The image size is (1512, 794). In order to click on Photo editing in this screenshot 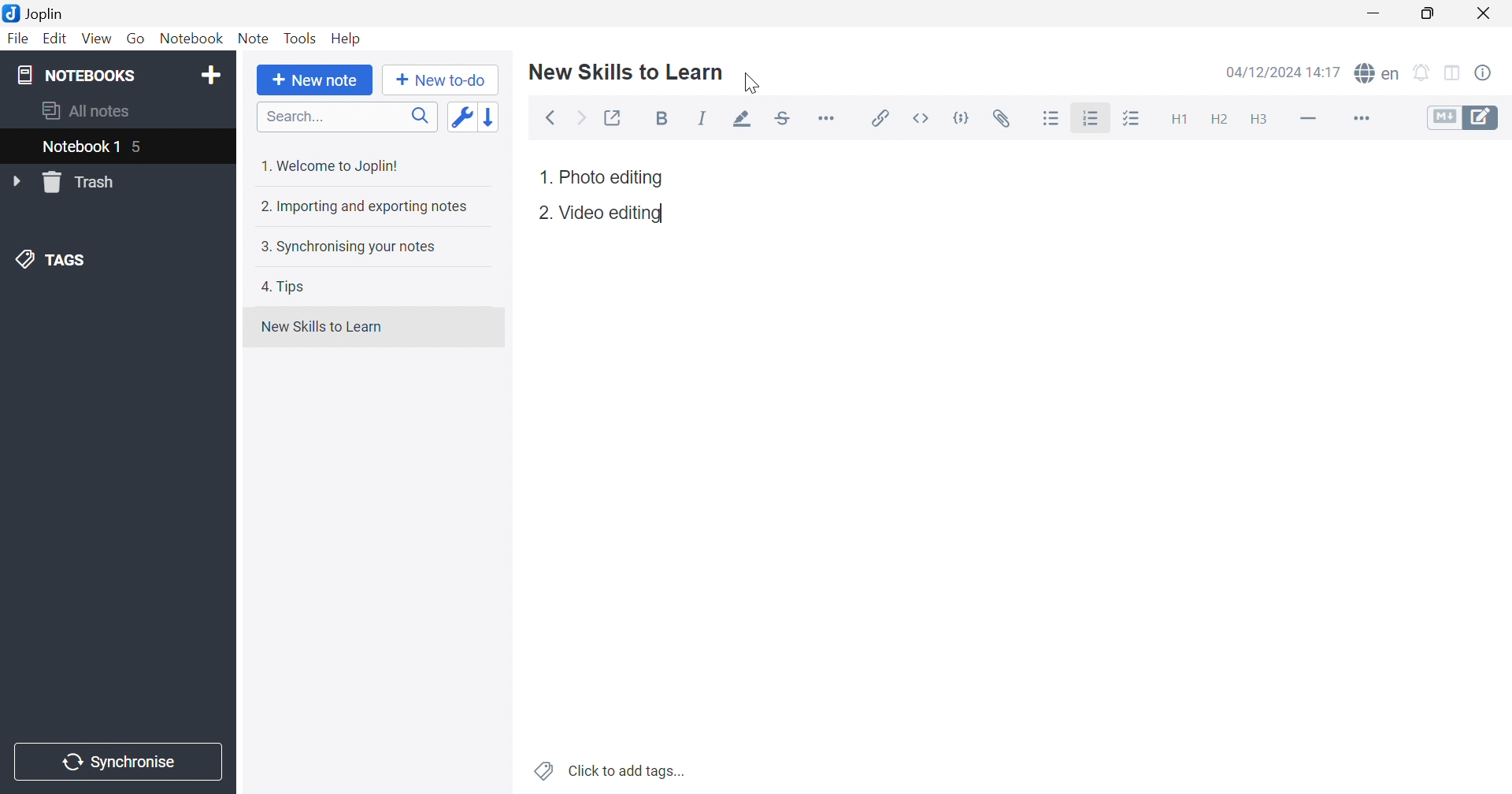, I will do `click(612, 177)`.